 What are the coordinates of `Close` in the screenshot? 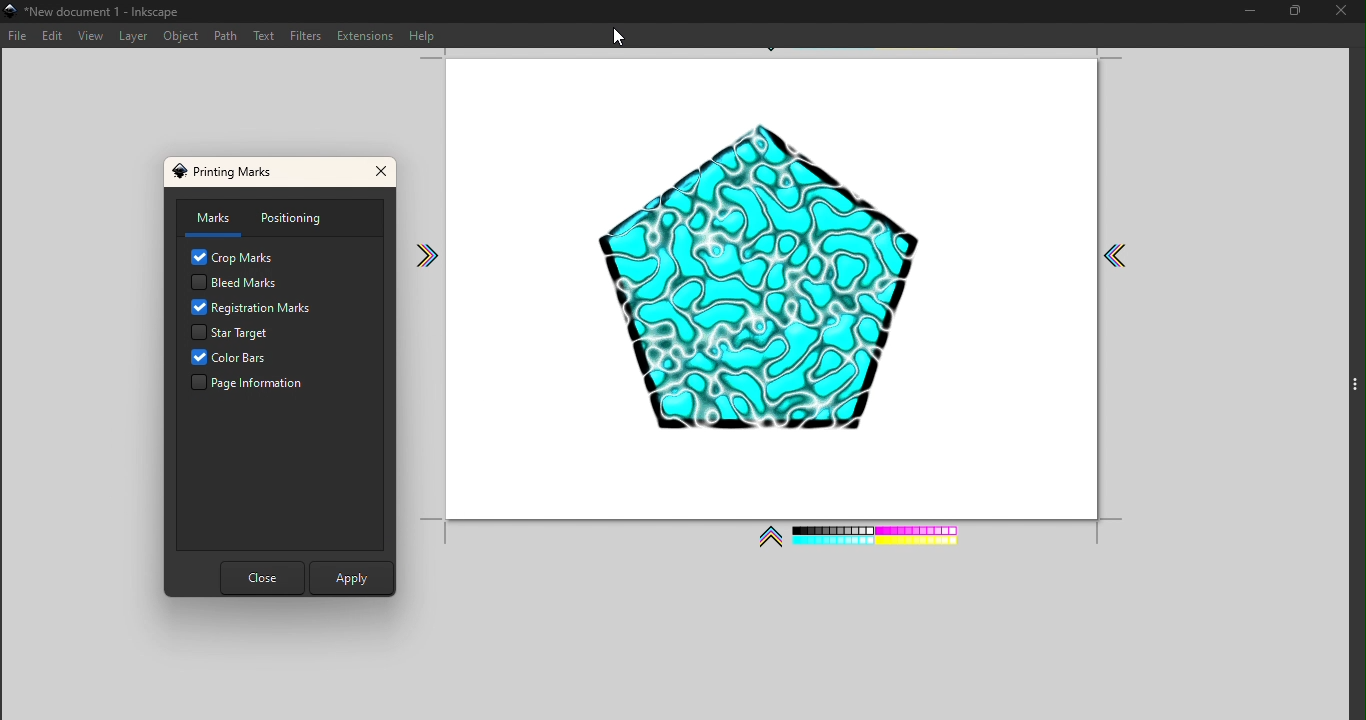 It's located at (259, 579).